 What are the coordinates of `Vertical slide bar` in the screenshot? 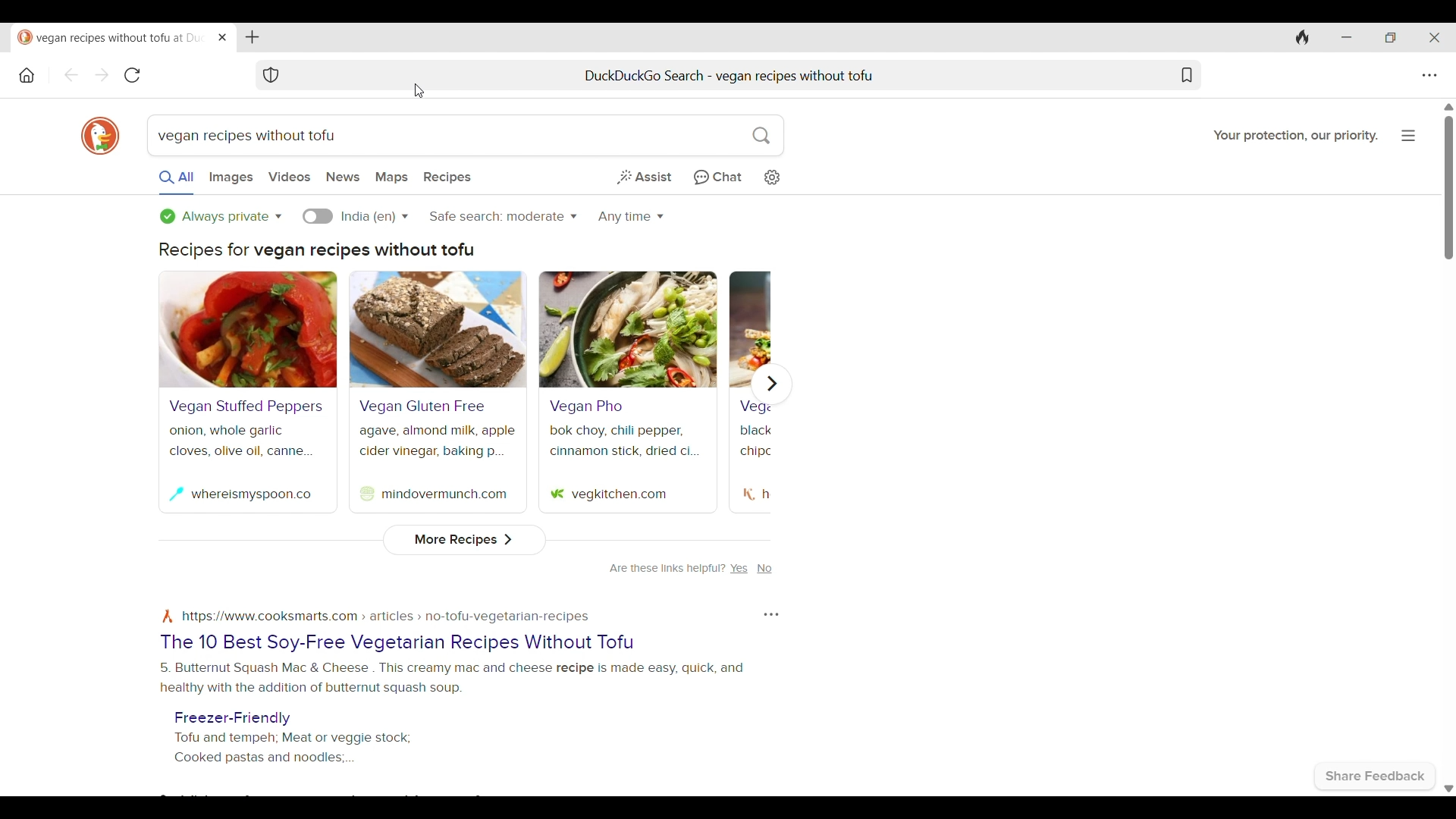 It's located at (1448, 187).